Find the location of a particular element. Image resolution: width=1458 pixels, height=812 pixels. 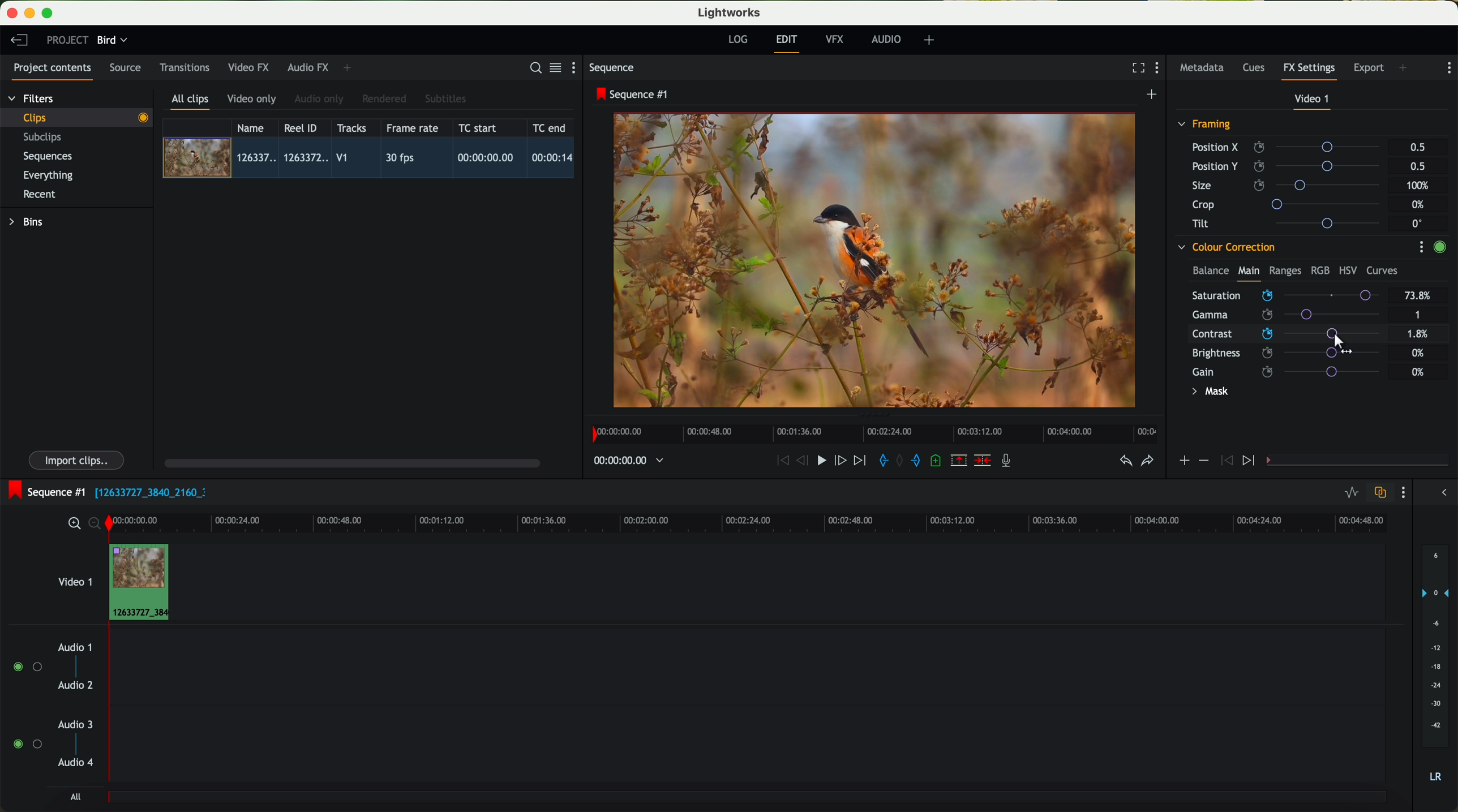

0% is located at coordinates (1420, 334).